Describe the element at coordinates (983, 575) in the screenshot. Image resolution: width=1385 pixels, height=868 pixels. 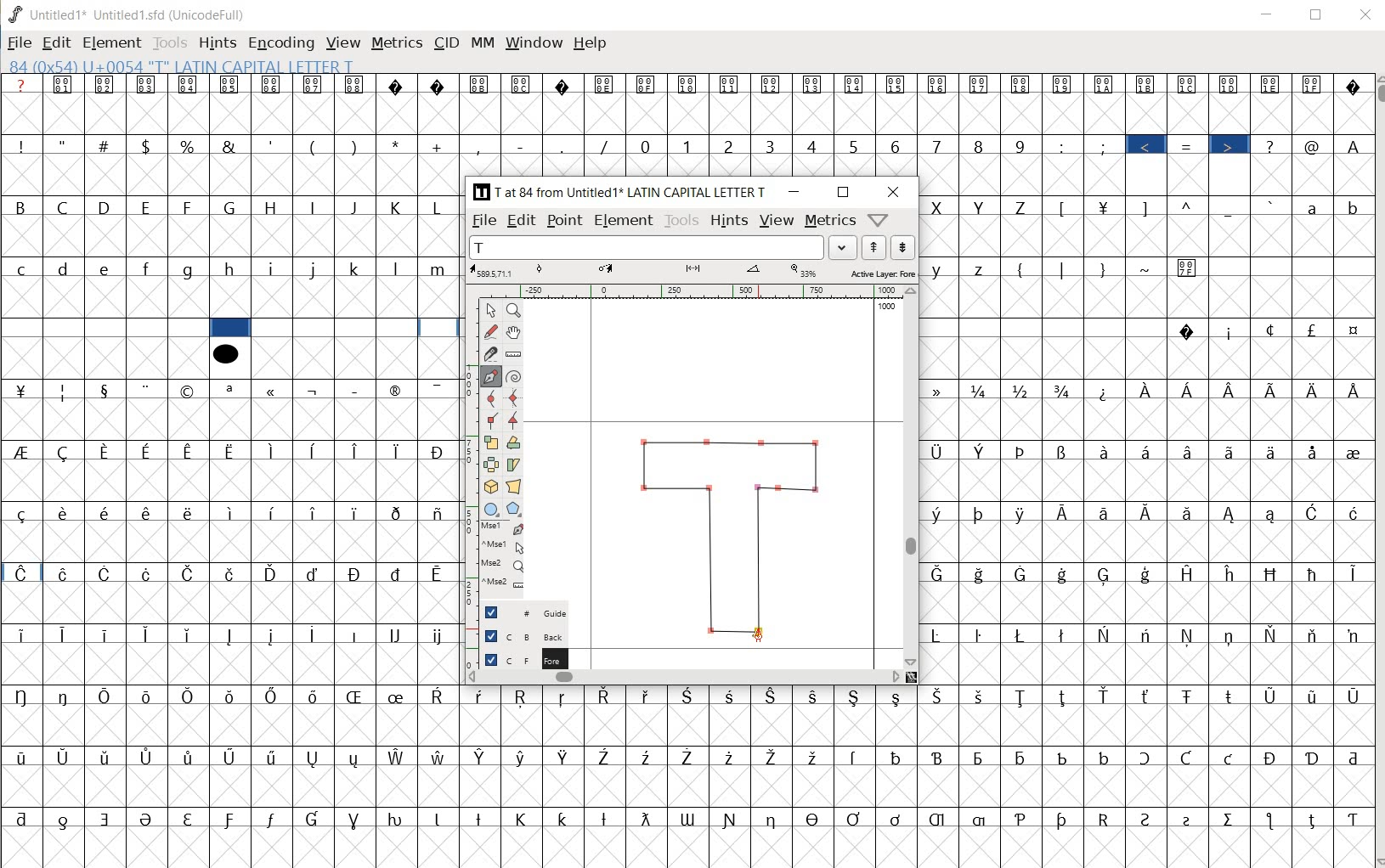
I see `Symbol` at that location.